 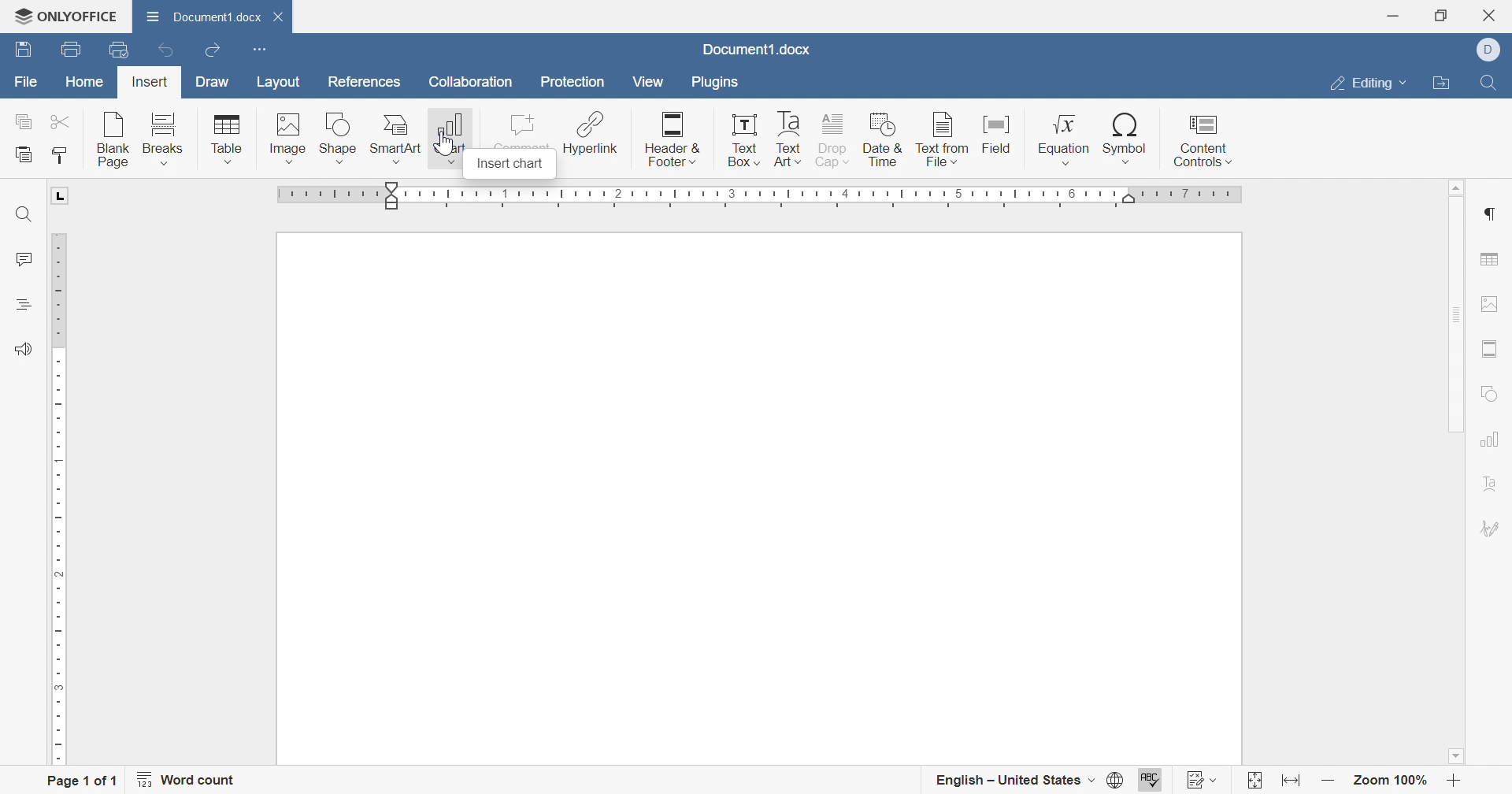 What do you see at coordinates (63, 121) in the screenshot?
I see `Cut` at bounding box center [63, 121].